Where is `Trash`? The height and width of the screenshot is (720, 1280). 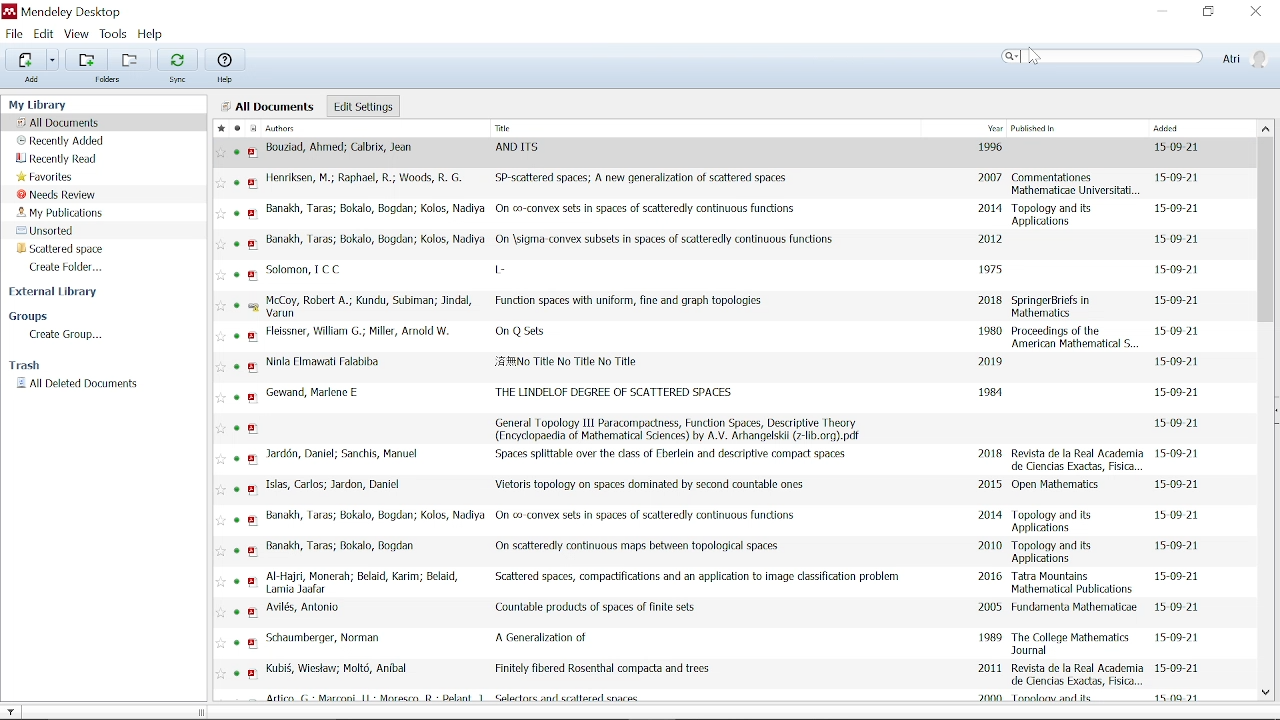 Trash is located at coordinates (37, 365).